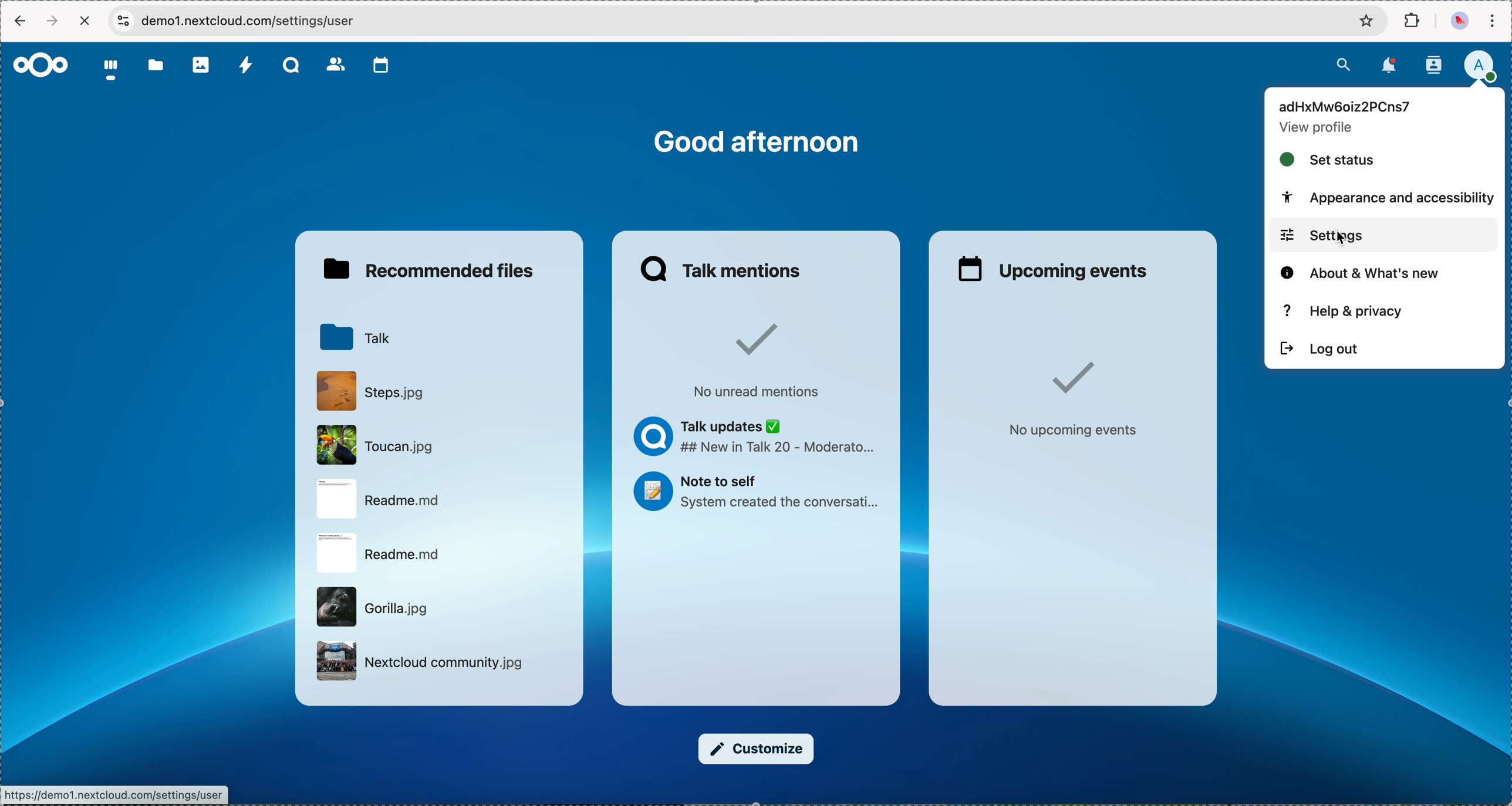 This screenshot has height=806, width=1512. I want to click on Talk, so click(352, 336).